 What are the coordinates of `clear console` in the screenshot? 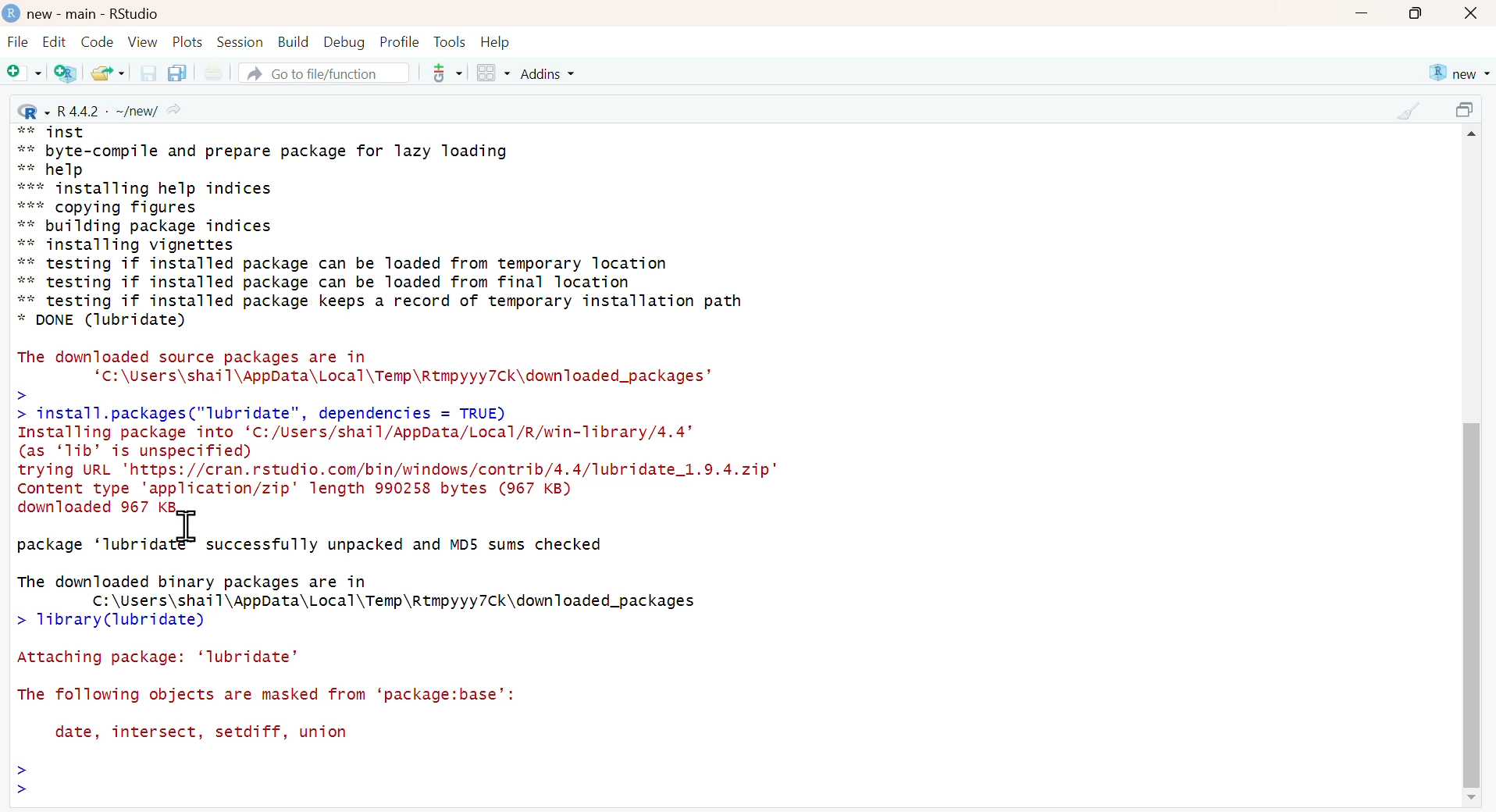 It's located at (1408, 111).